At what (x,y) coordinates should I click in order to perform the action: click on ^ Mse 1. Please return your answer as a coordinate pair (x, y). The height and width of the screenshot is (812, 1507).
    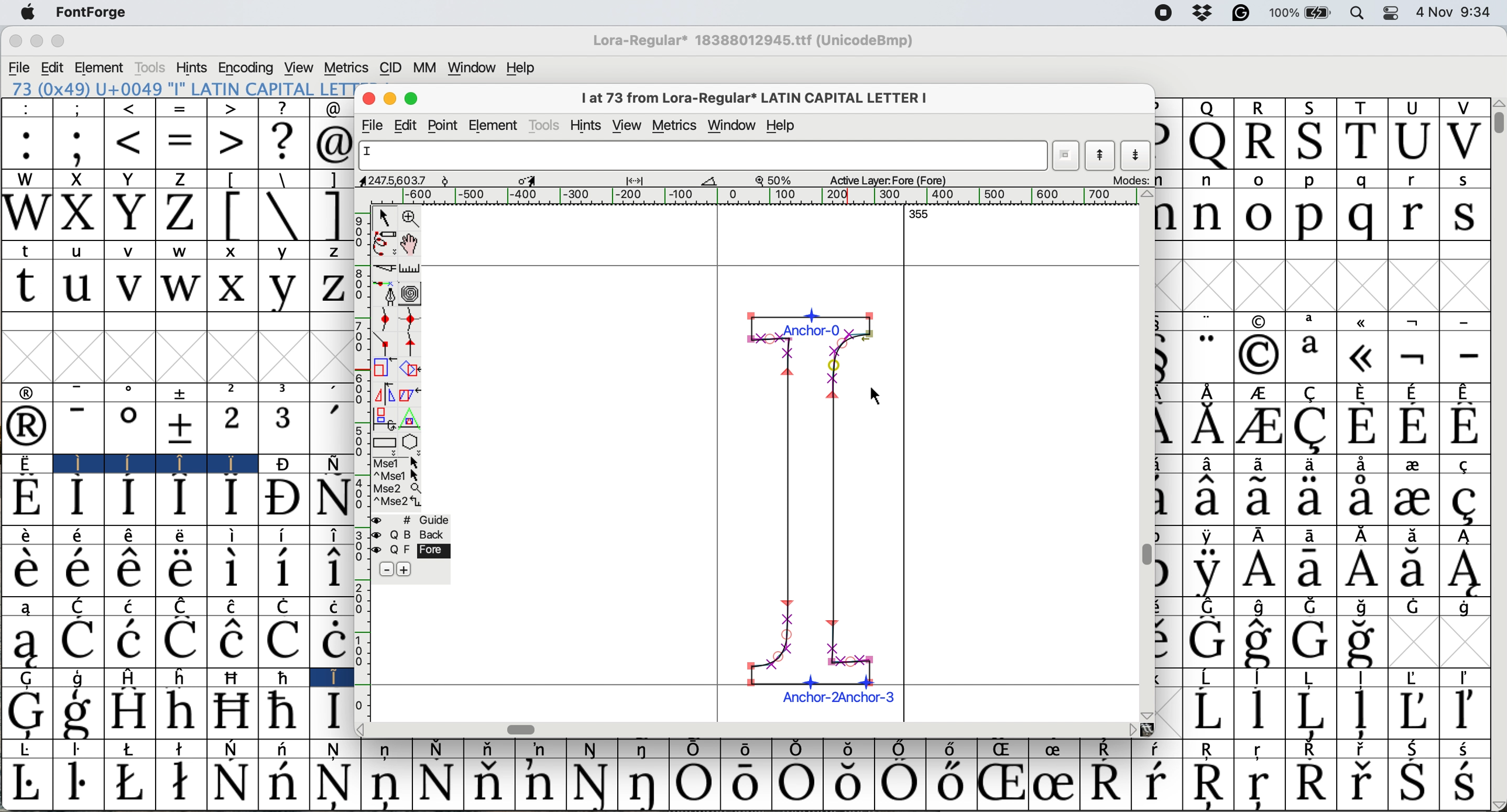
    Looking at the image, I should click on (397, 476).